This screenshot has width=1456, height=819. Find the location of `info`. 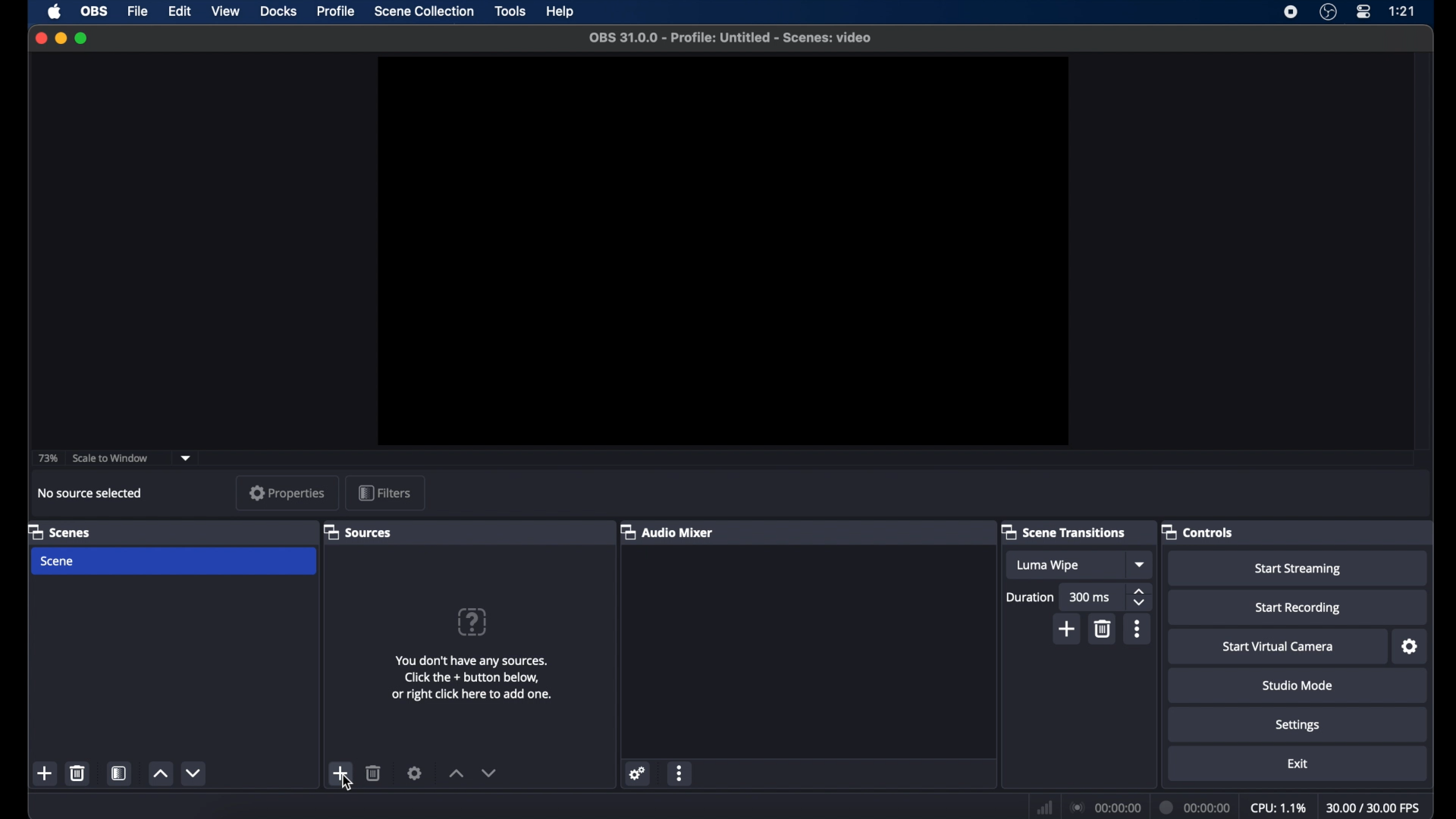

info is located at coordinates (473, 679).